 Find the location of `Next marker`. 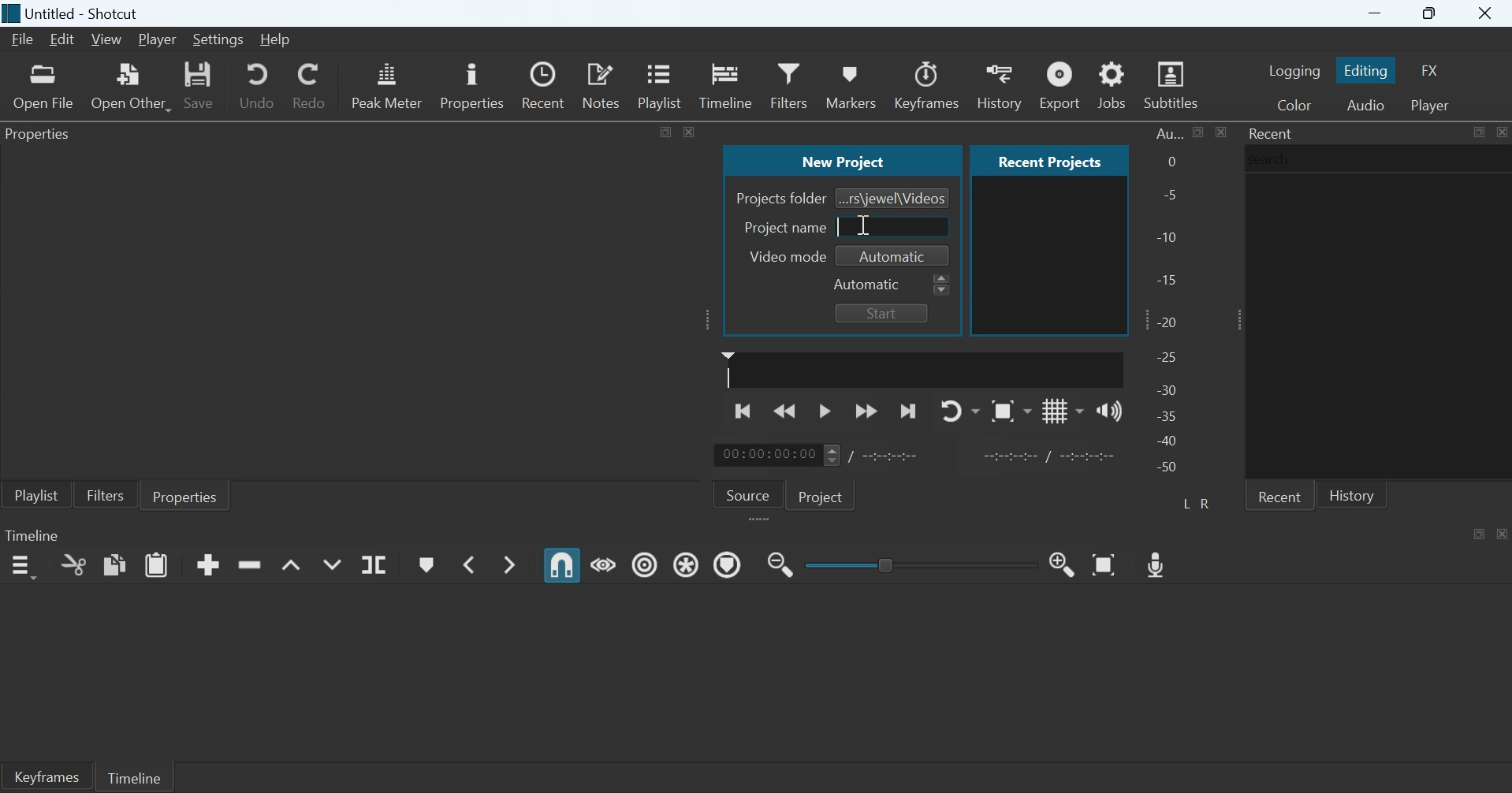

Next marker is located at coordinates (512, 564).